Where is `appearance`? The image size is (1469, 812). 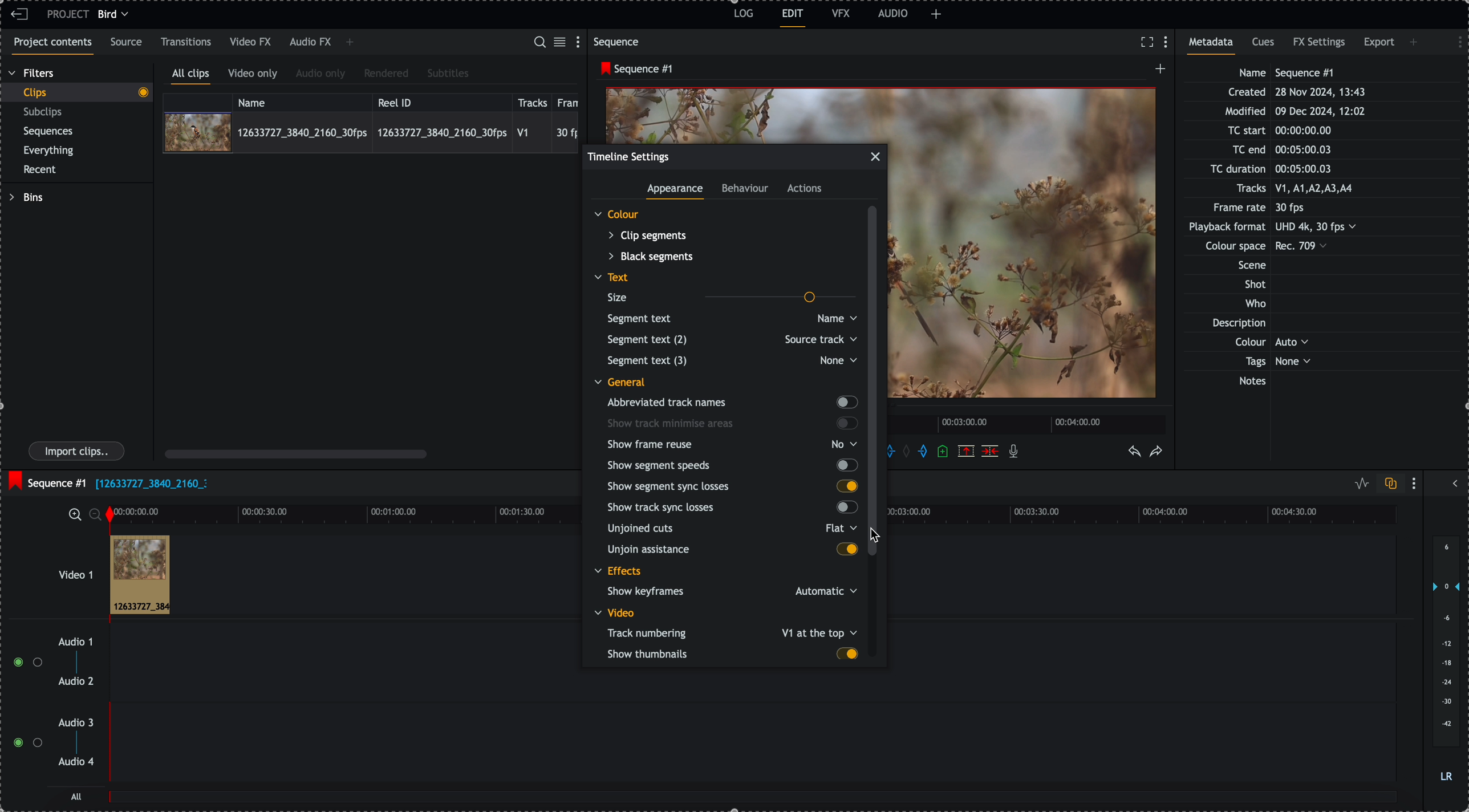 appearance is located at coordinates (677, 192).